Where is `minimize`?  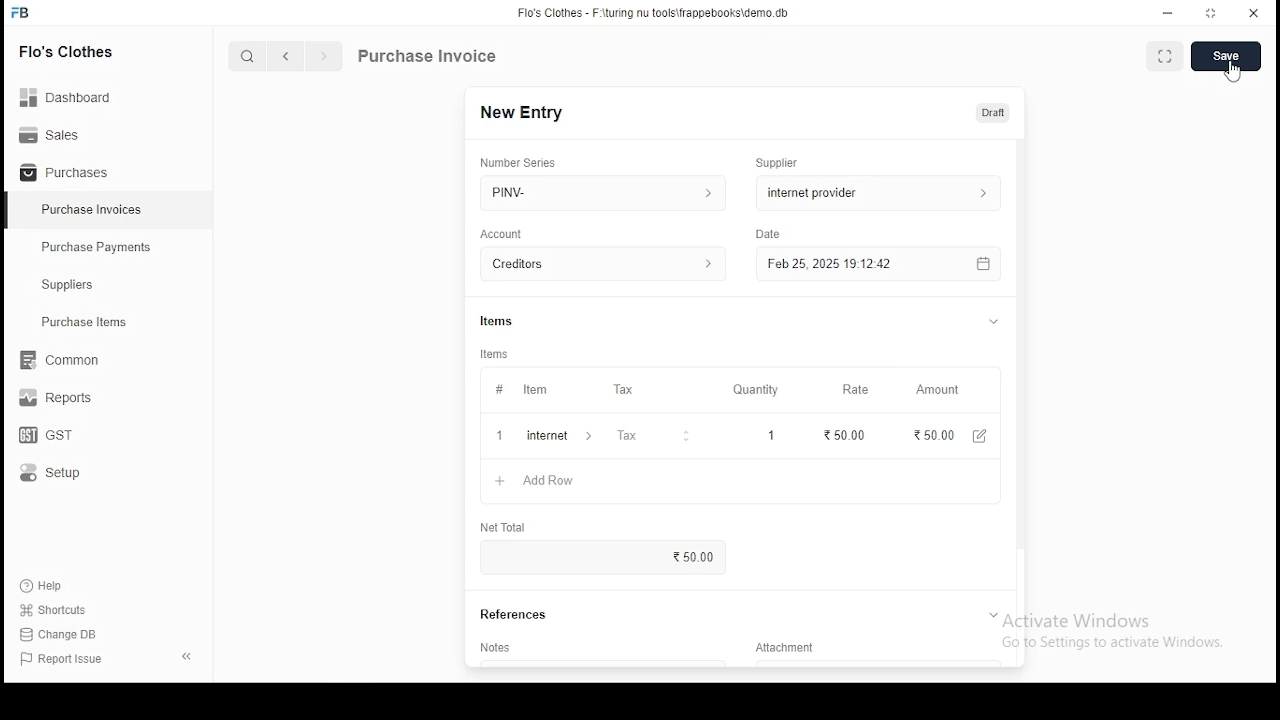
minimize is located at coordinates (1170, 12).